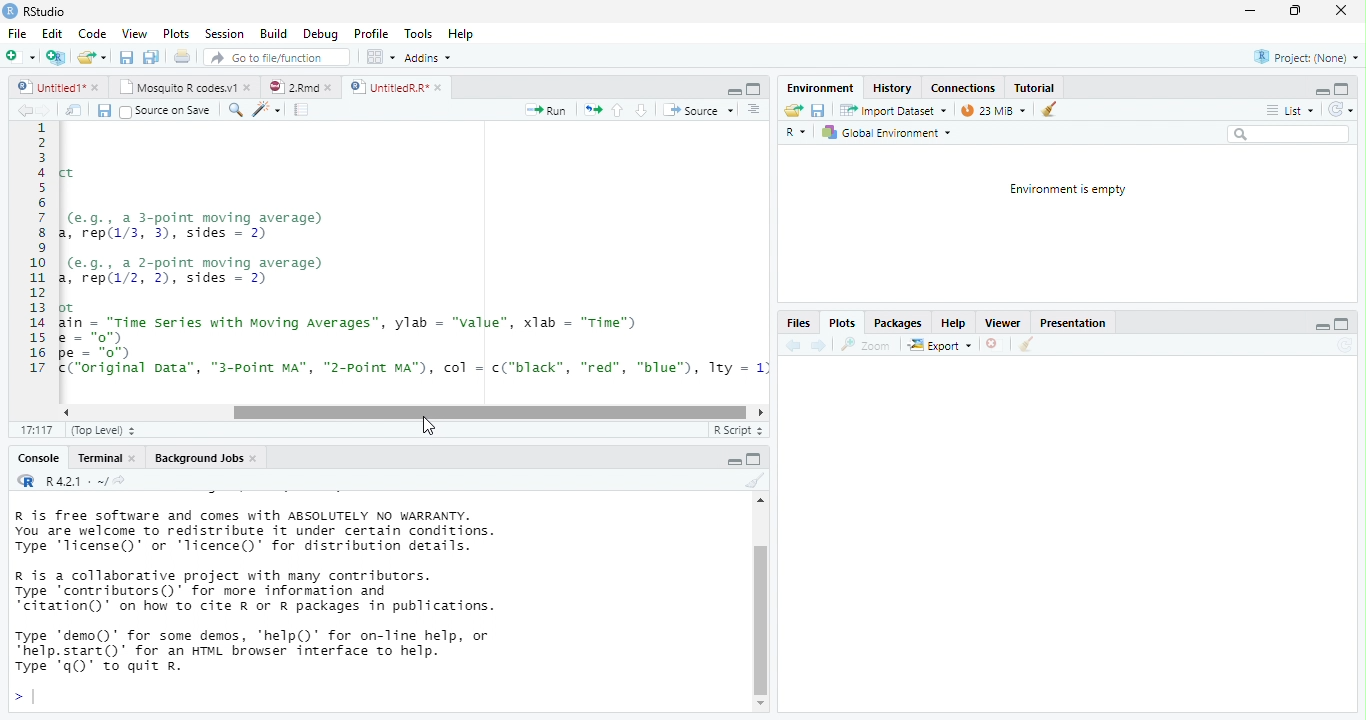 The height and width of the screenshot is (720, 1366). I want to click on Go to file/function, so click(273, 57).